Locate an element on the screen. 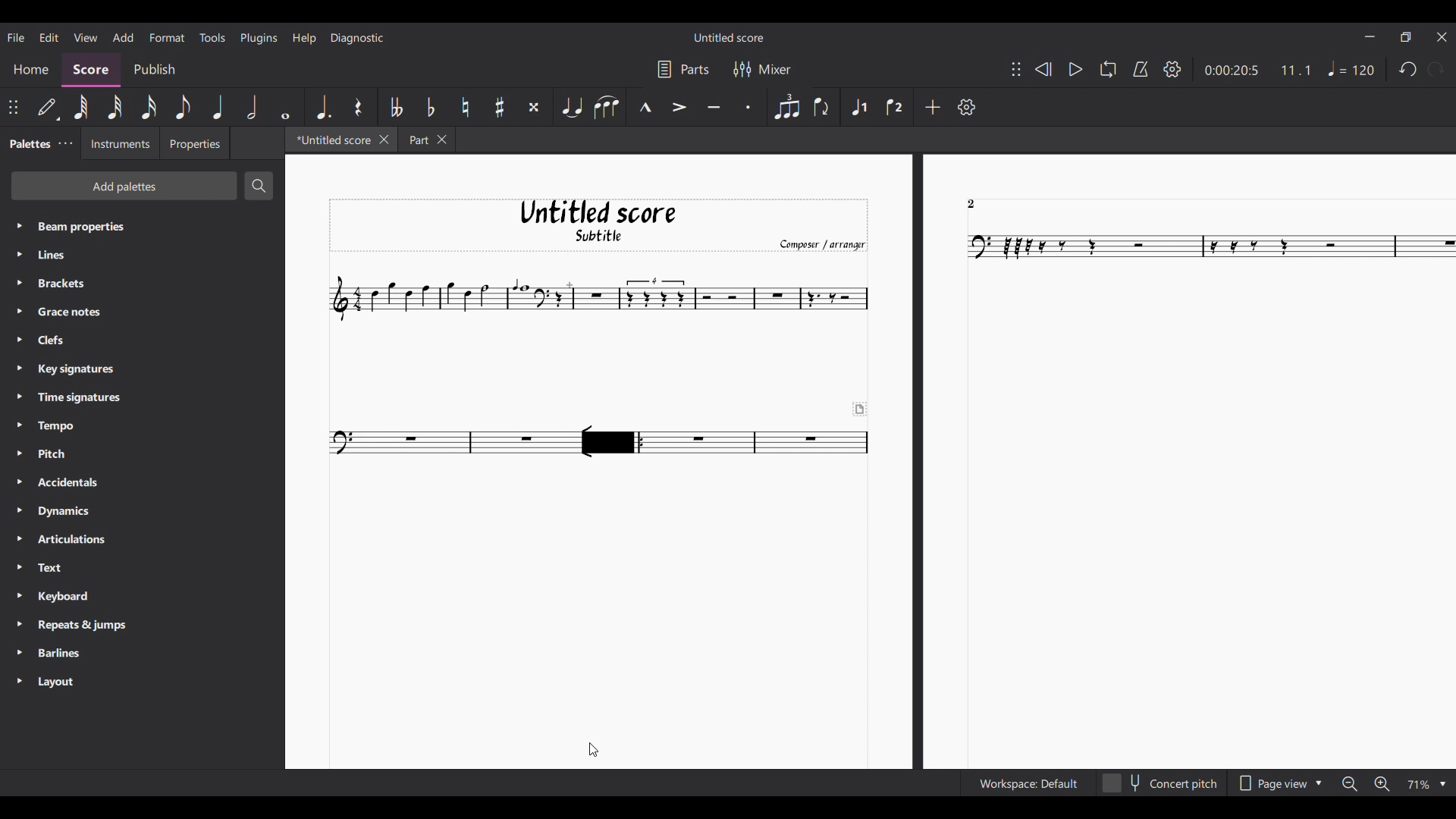 This screenshot has height=819, width=1456. Page view options is located at coordinates (1280, 784).